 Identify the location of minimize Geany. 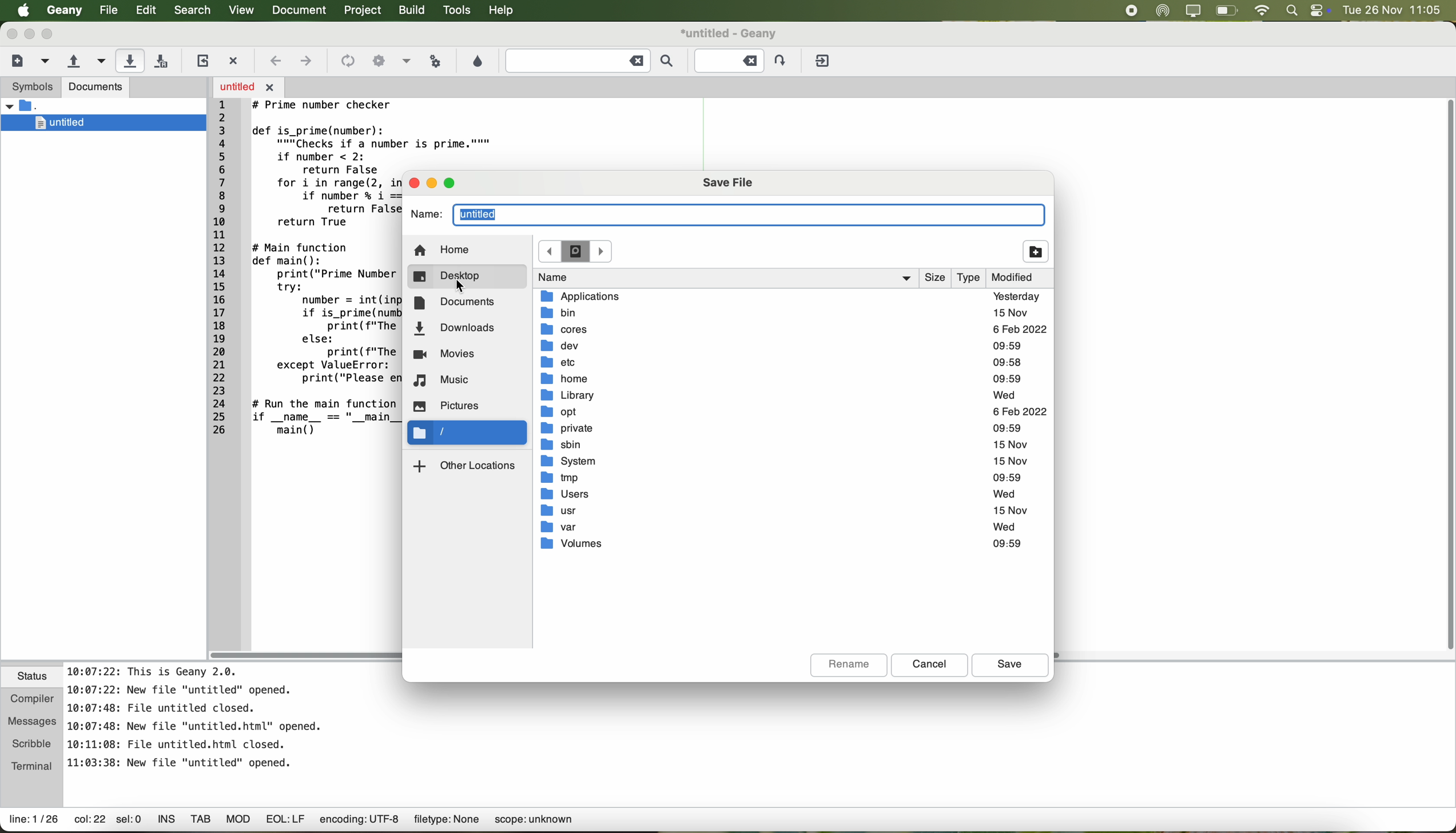
(30, 33).